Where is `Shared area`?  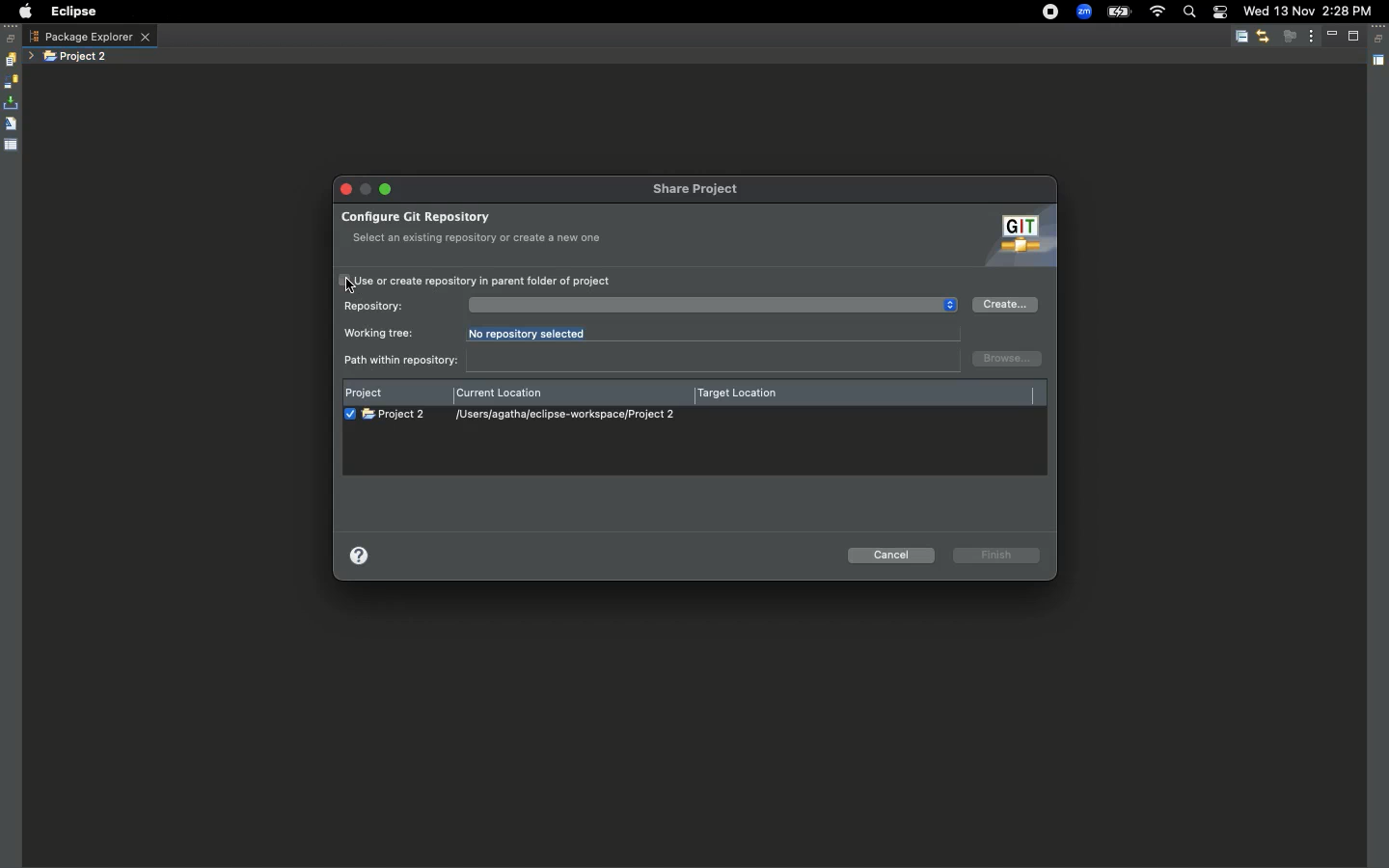
Shared area is located at coordinates (1377, 64).